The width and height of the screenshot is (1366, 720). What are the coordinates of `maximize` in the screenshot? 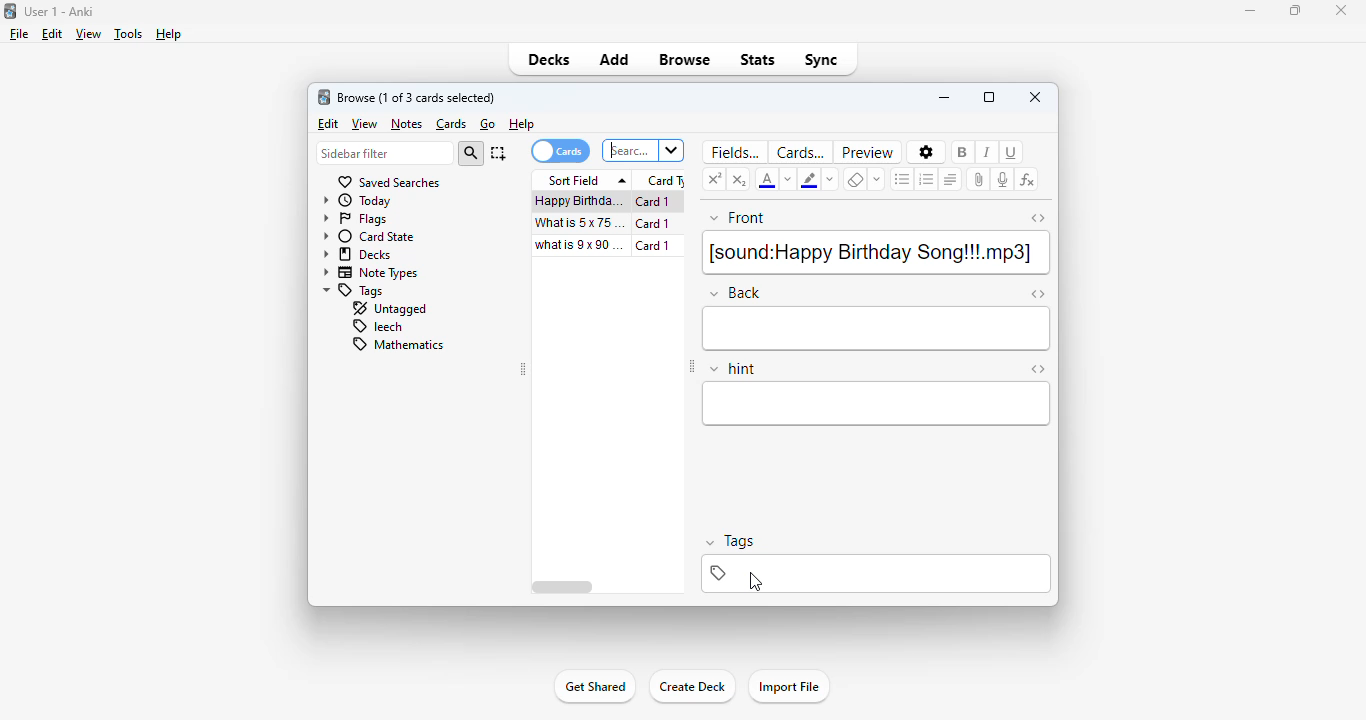 It's located at (1301, 10).